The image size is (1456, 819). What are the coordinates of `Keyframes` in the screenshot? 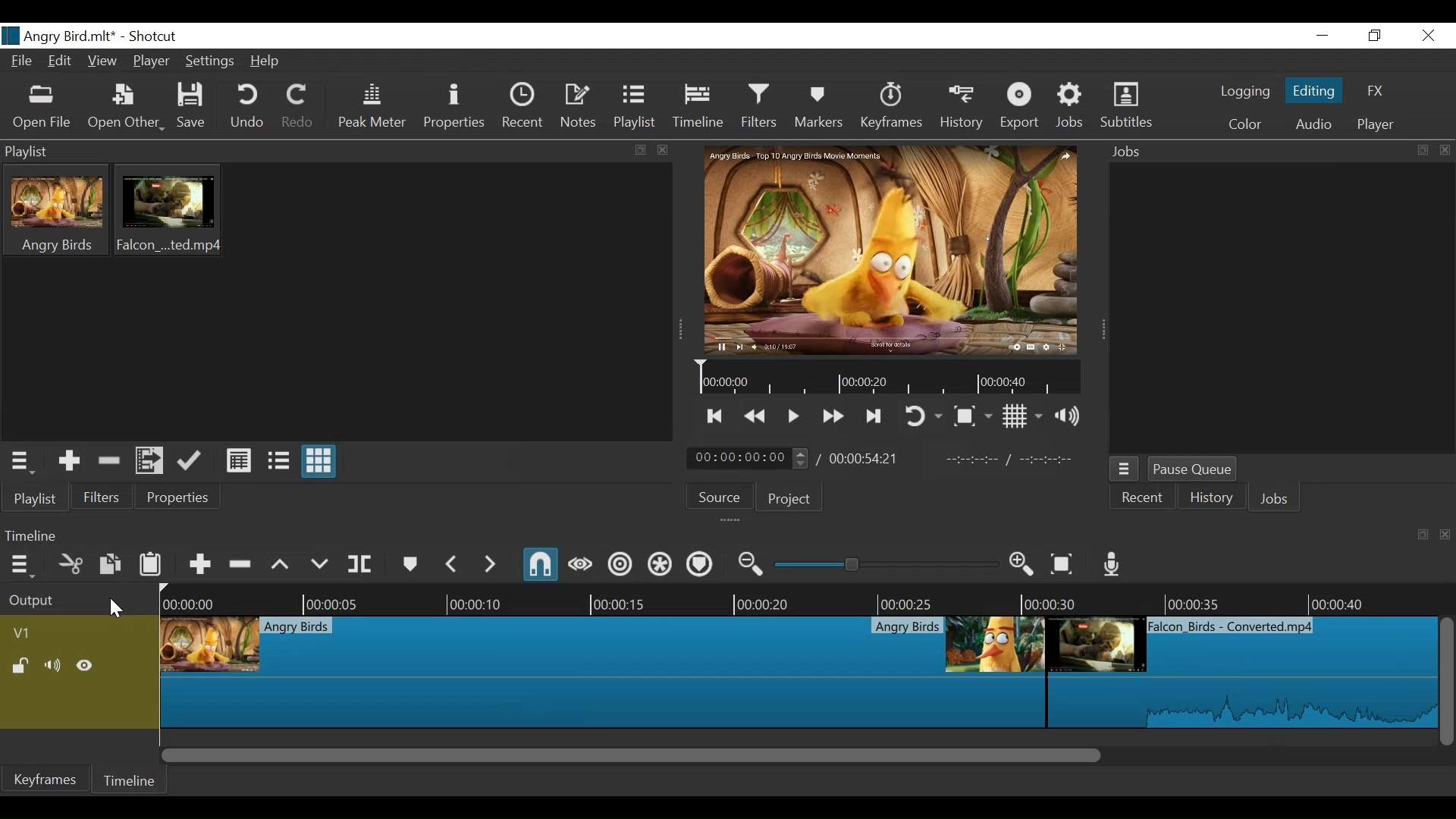 It's located at (890, 107).